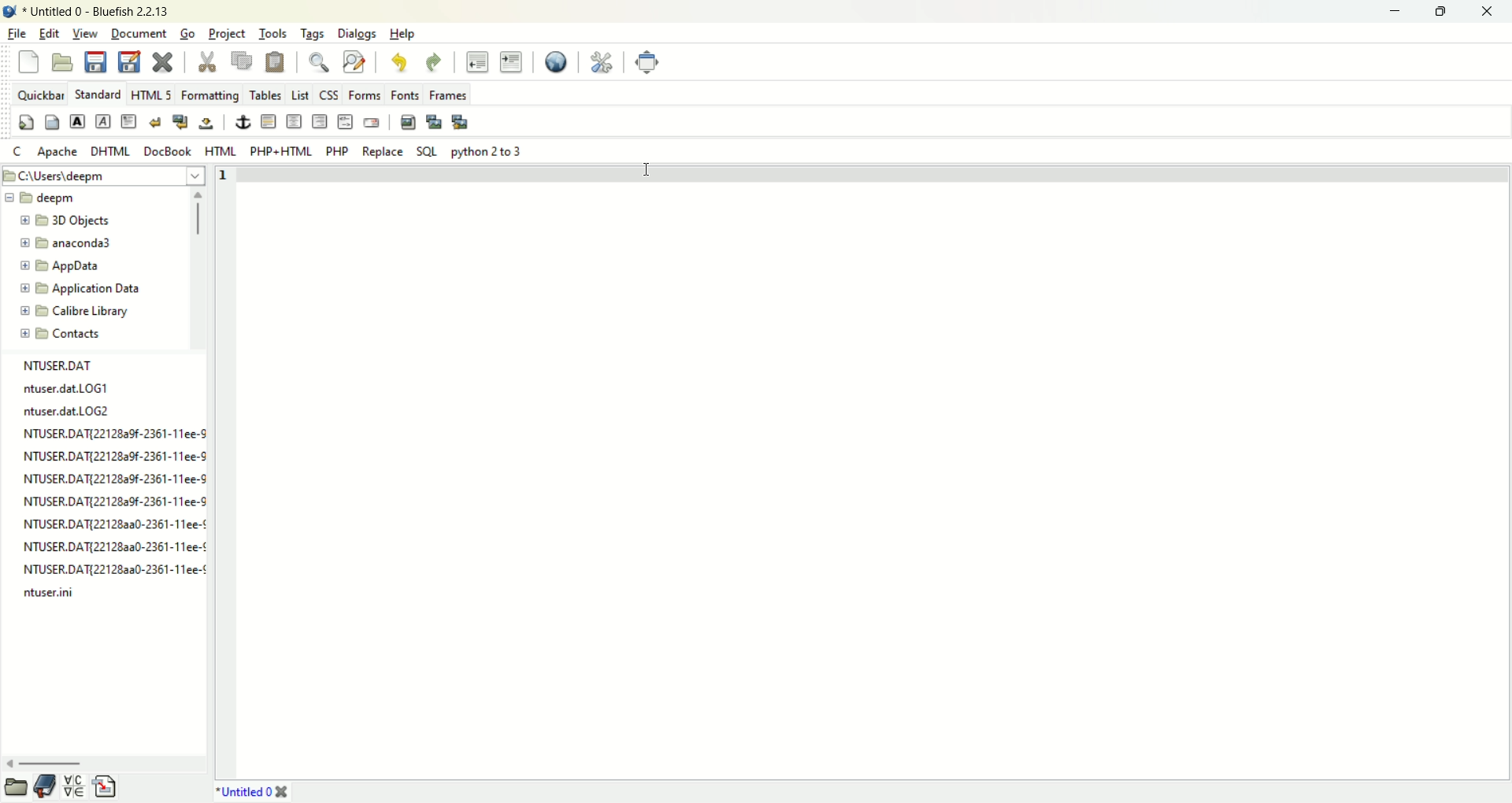  What do you see at coordinates (104, 120) in the screenshot?
I see `emphasis` at bounding box center [104, 120].